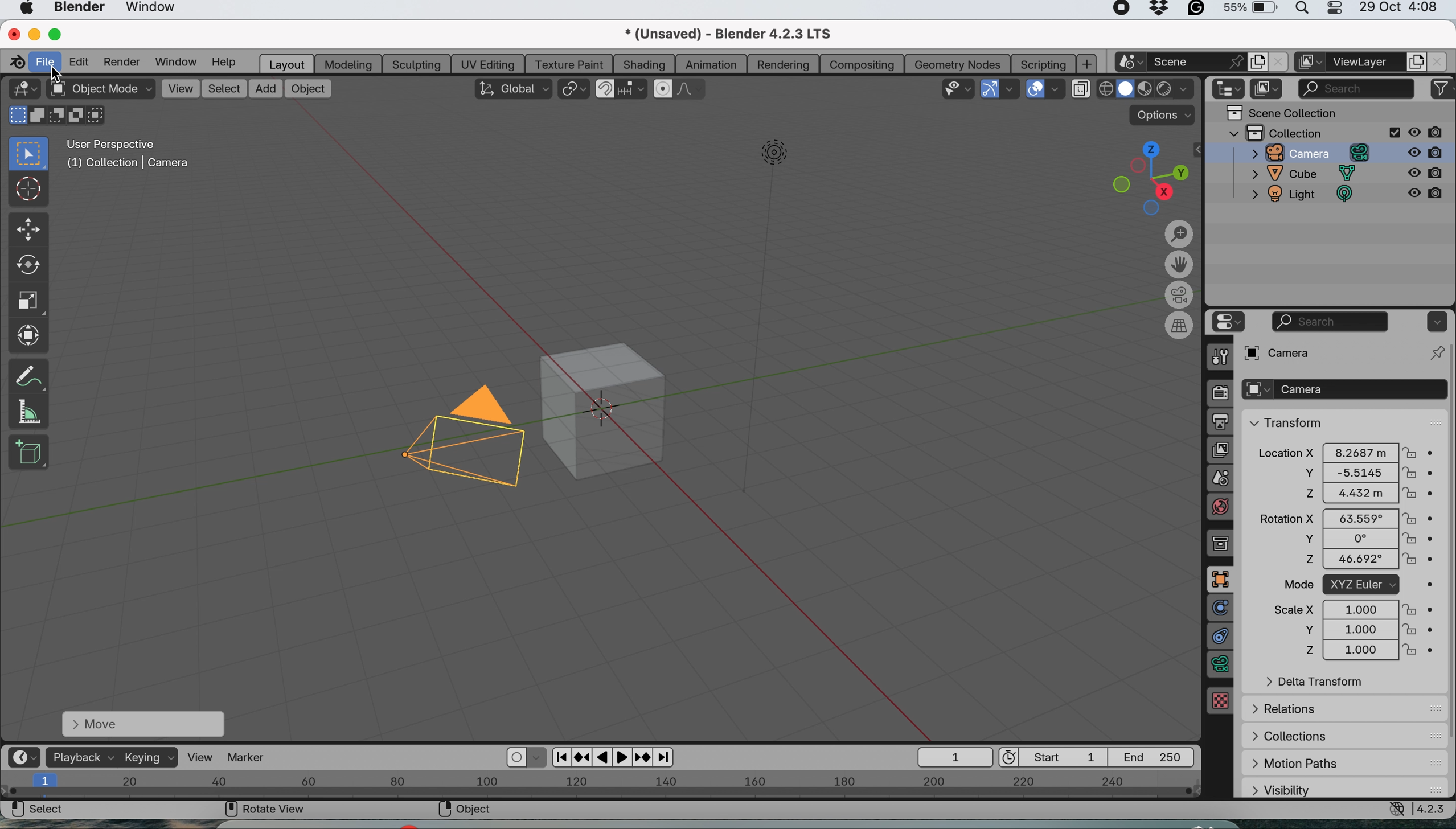 The image size is (1456, 829). What do you see at coordinates (1345, 451) in the screenshot?
I see `Location x 8.2687` at bounding box center [1345, 451].